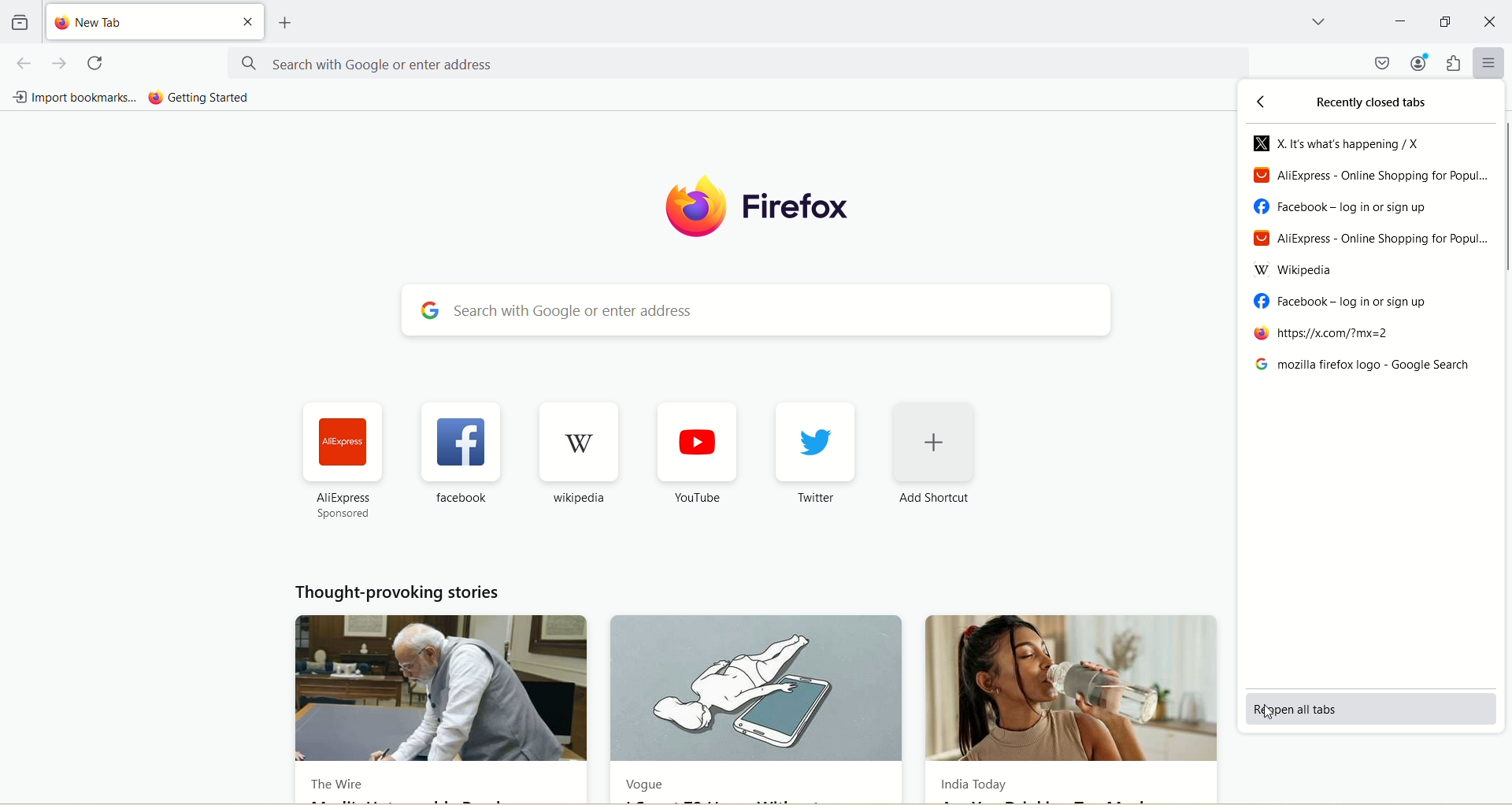 The height and width of the screenshot is (805, 1512). What do you see at coordinates (694, 497) in the screenshot?
I see `YouTube` at bounding box center [694, 497].